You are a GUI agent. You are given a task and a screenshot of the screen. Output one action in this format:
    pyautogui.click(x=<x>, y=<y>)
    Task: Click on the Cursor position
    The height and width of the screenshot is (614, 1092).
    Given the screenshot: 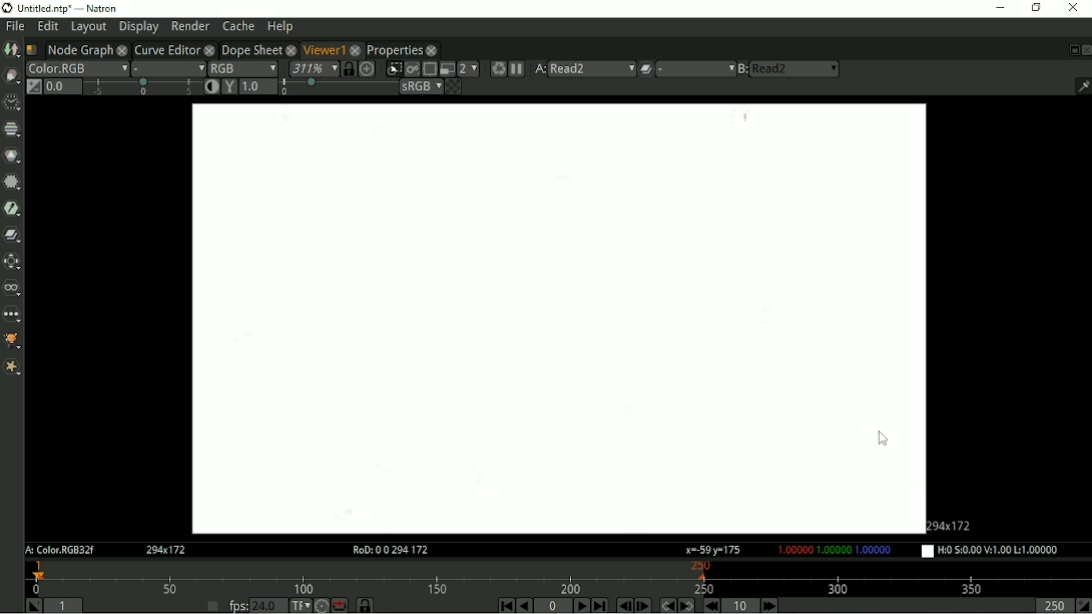 What is the action you would take?
    pyautogui.click(x=713, y=550)
    